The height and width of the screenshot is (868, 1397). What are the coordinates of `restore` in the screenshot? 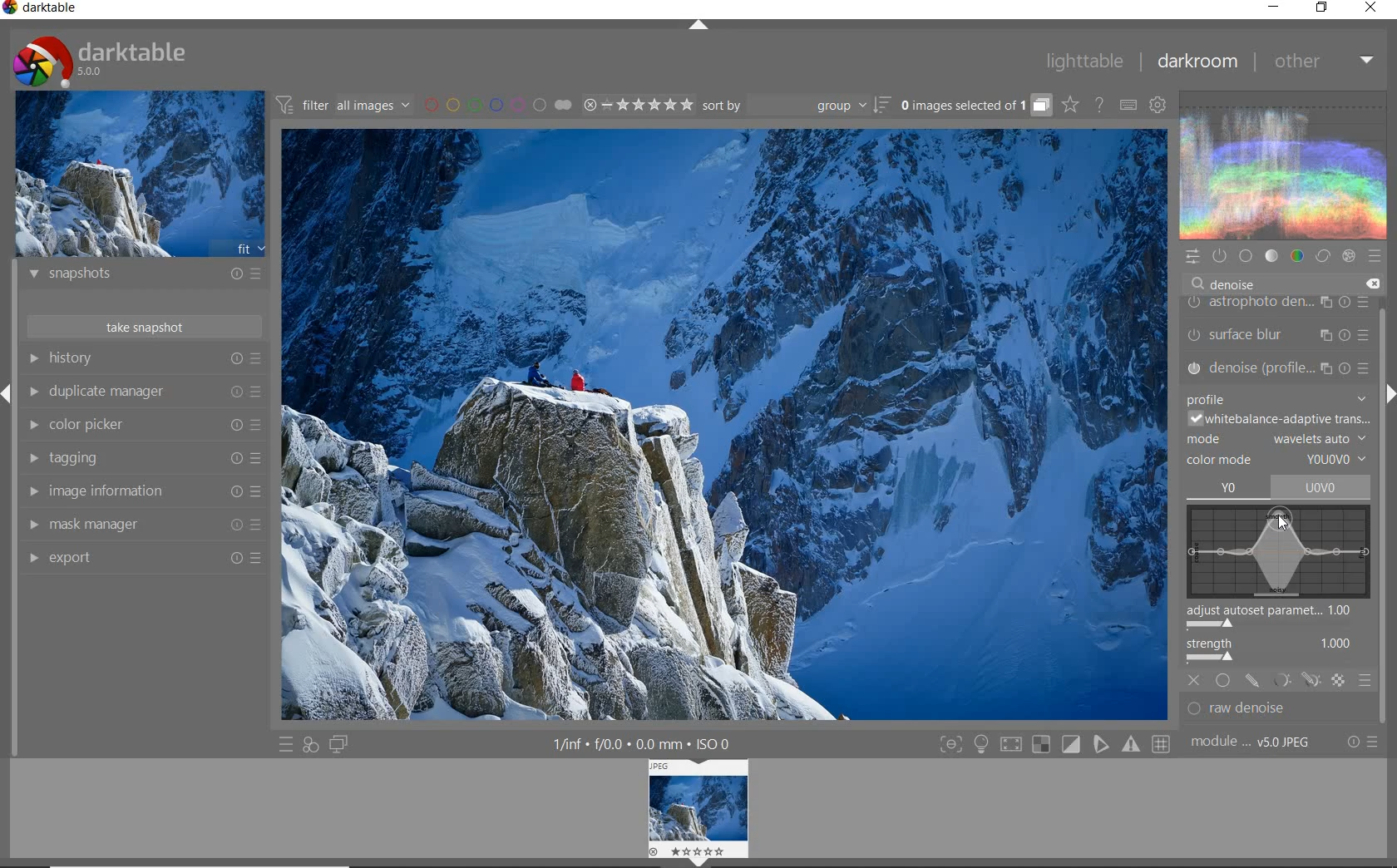 It's located at (1324, 9).